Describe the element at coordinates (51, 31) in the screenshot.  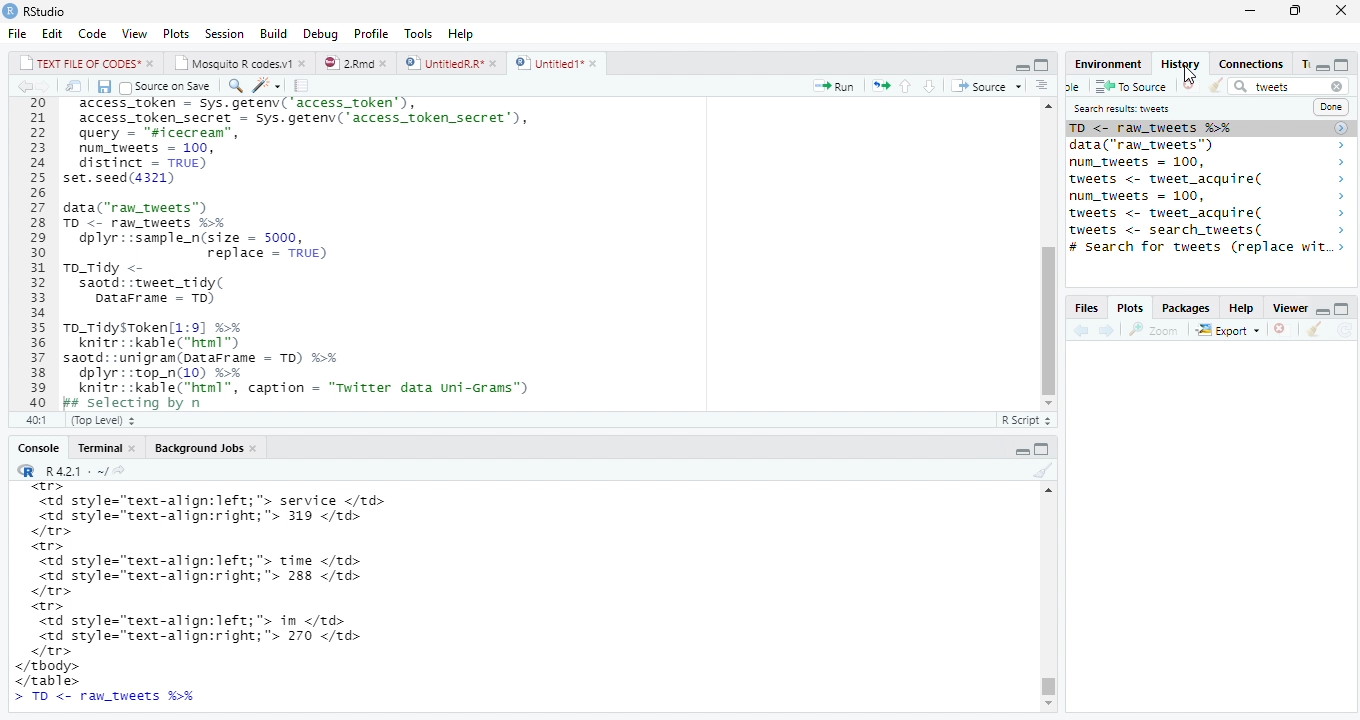
I see `Edit` at that location.